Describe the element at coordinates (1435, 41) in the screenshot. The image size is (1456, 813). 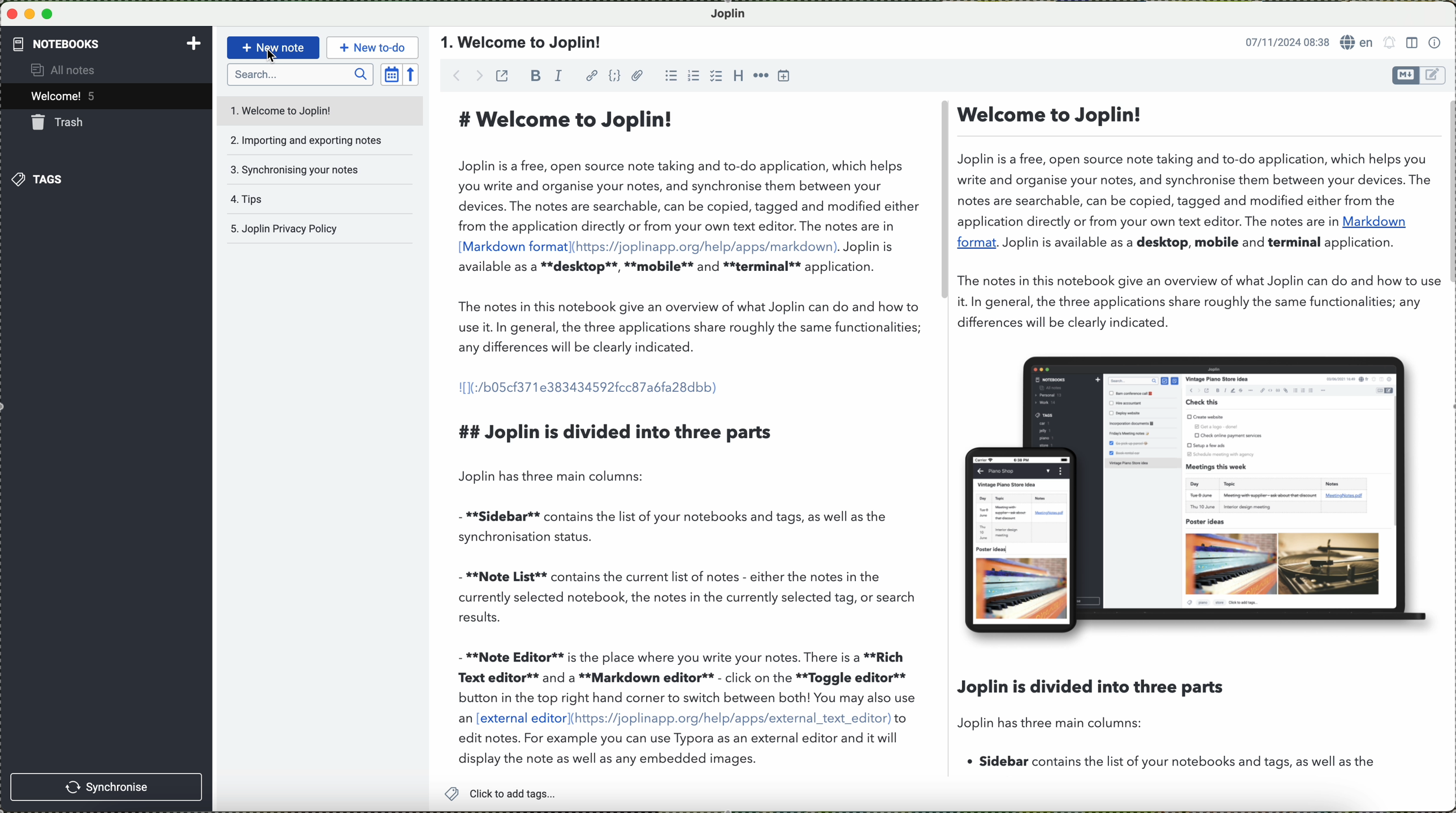
I see `note properties` at that location.